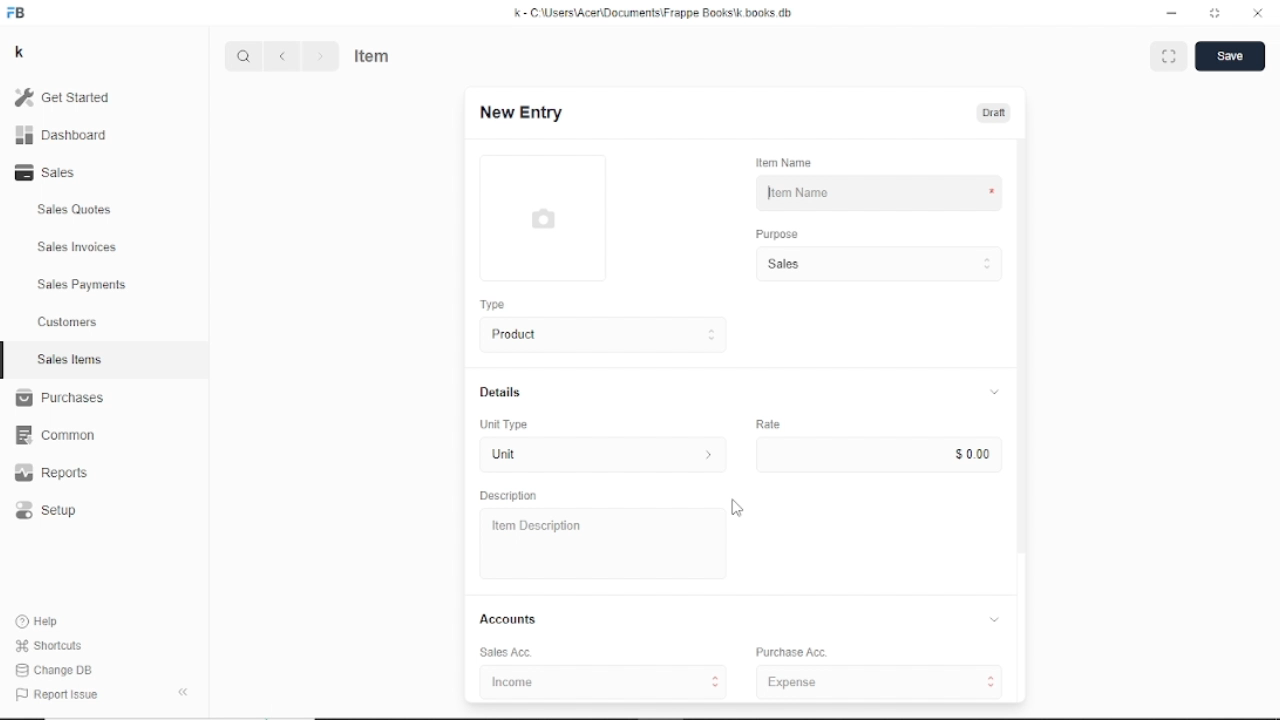 The image size is (1280, 720). Describe the element at coordinates (62, 136) in the screenshot. I see `Dashboard` at that location.